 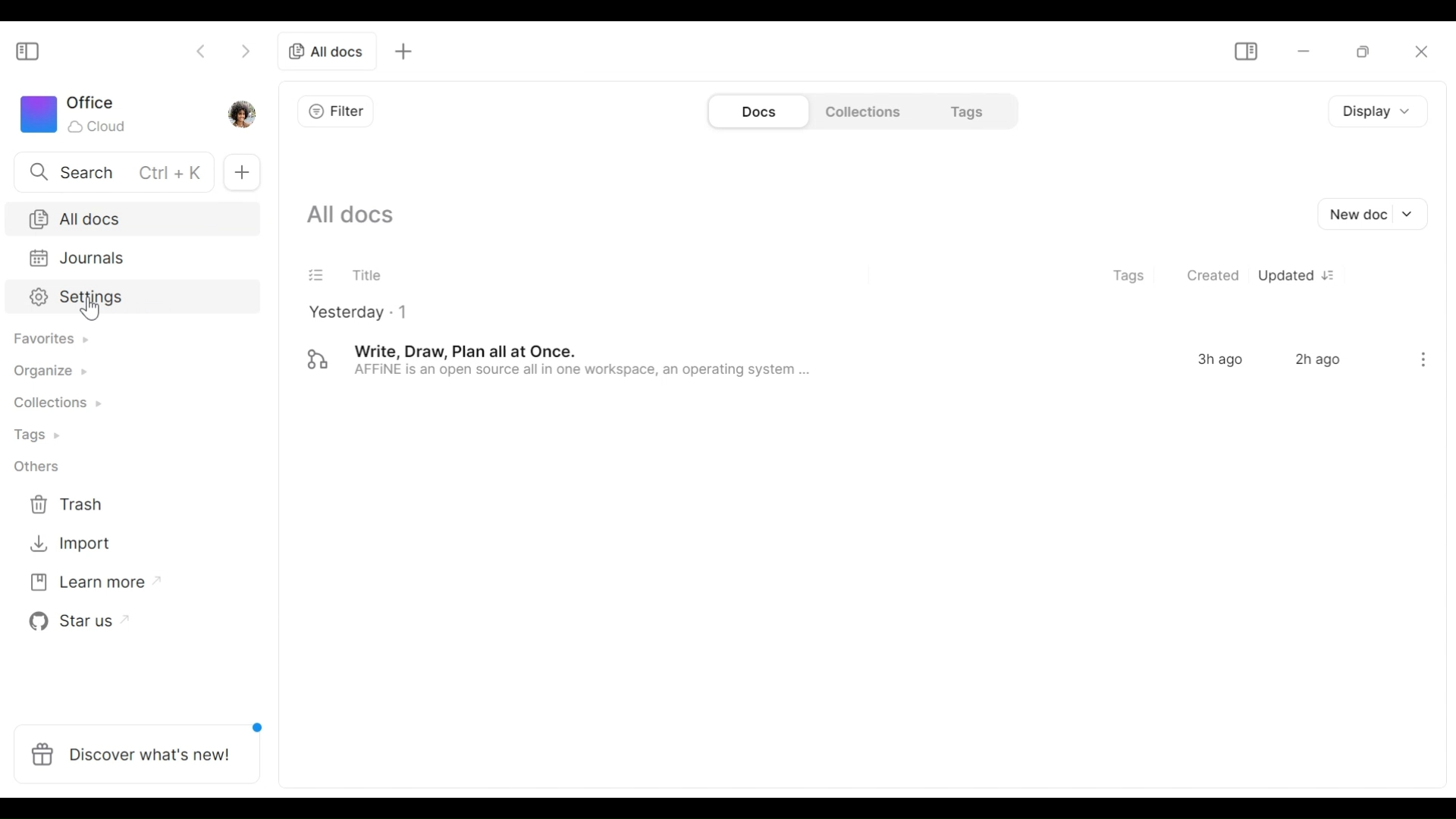 I want to click on Workspace icon, so click(x=72, y=114).